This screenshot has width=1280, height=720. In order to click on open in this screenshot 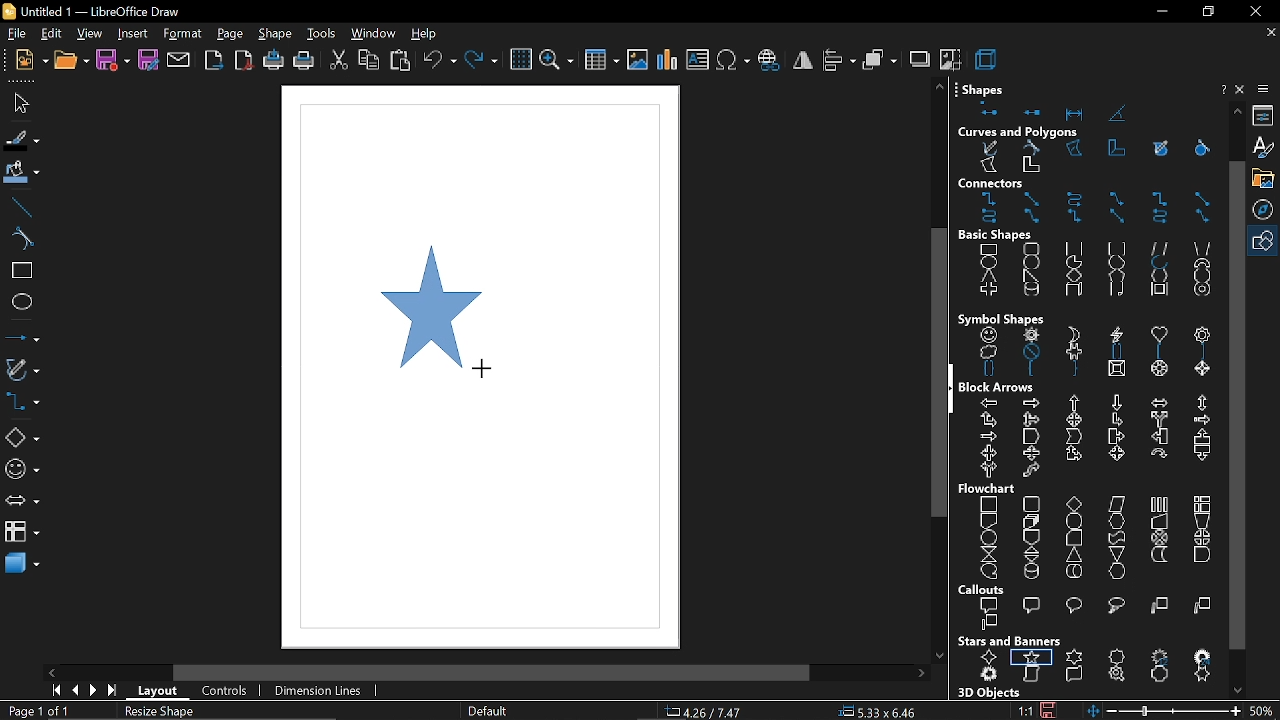, I will do `click(70, 61)`.